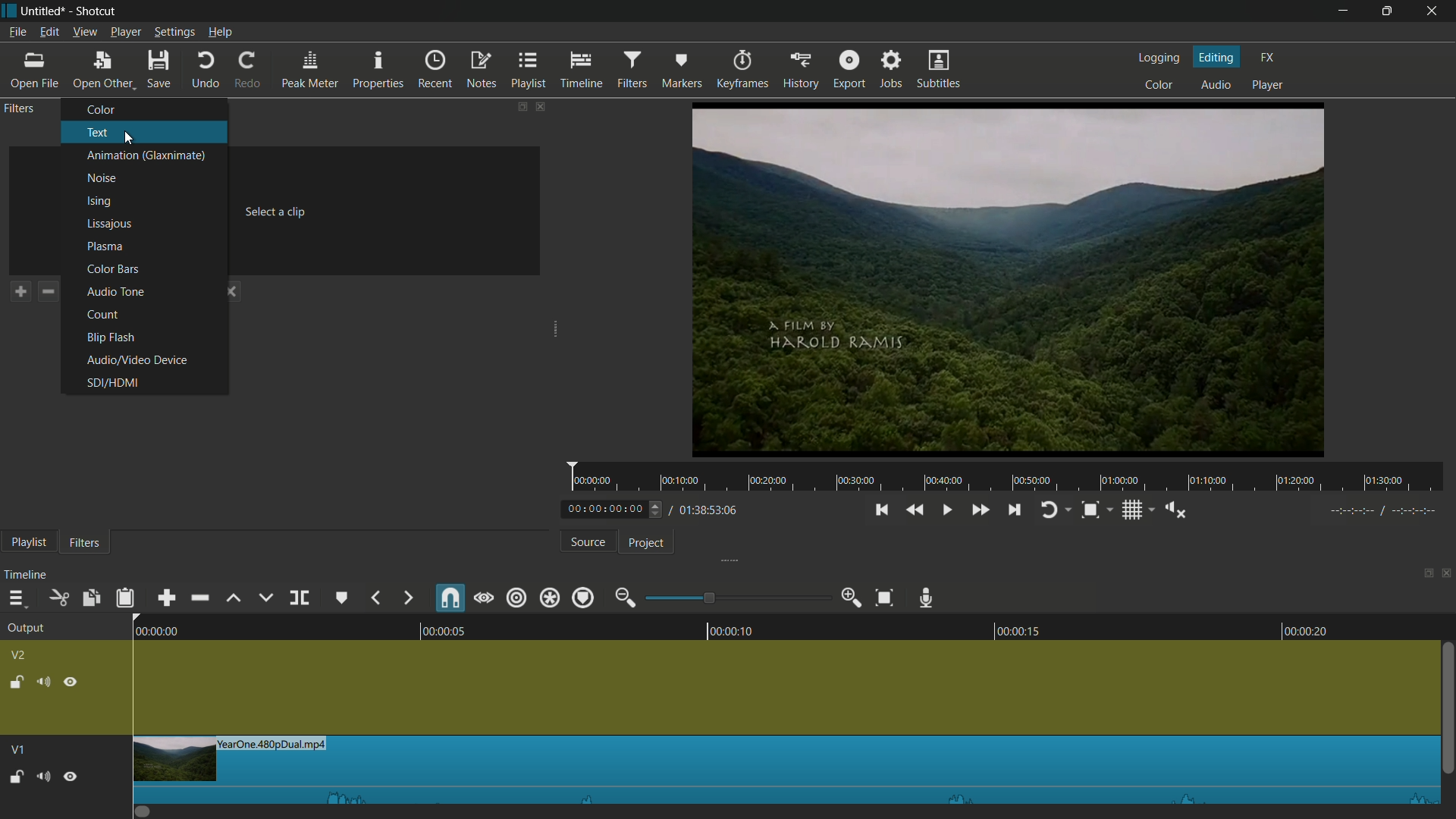 This screenshot has width=1456, height=819. I want to click on count, so click(104, 315).